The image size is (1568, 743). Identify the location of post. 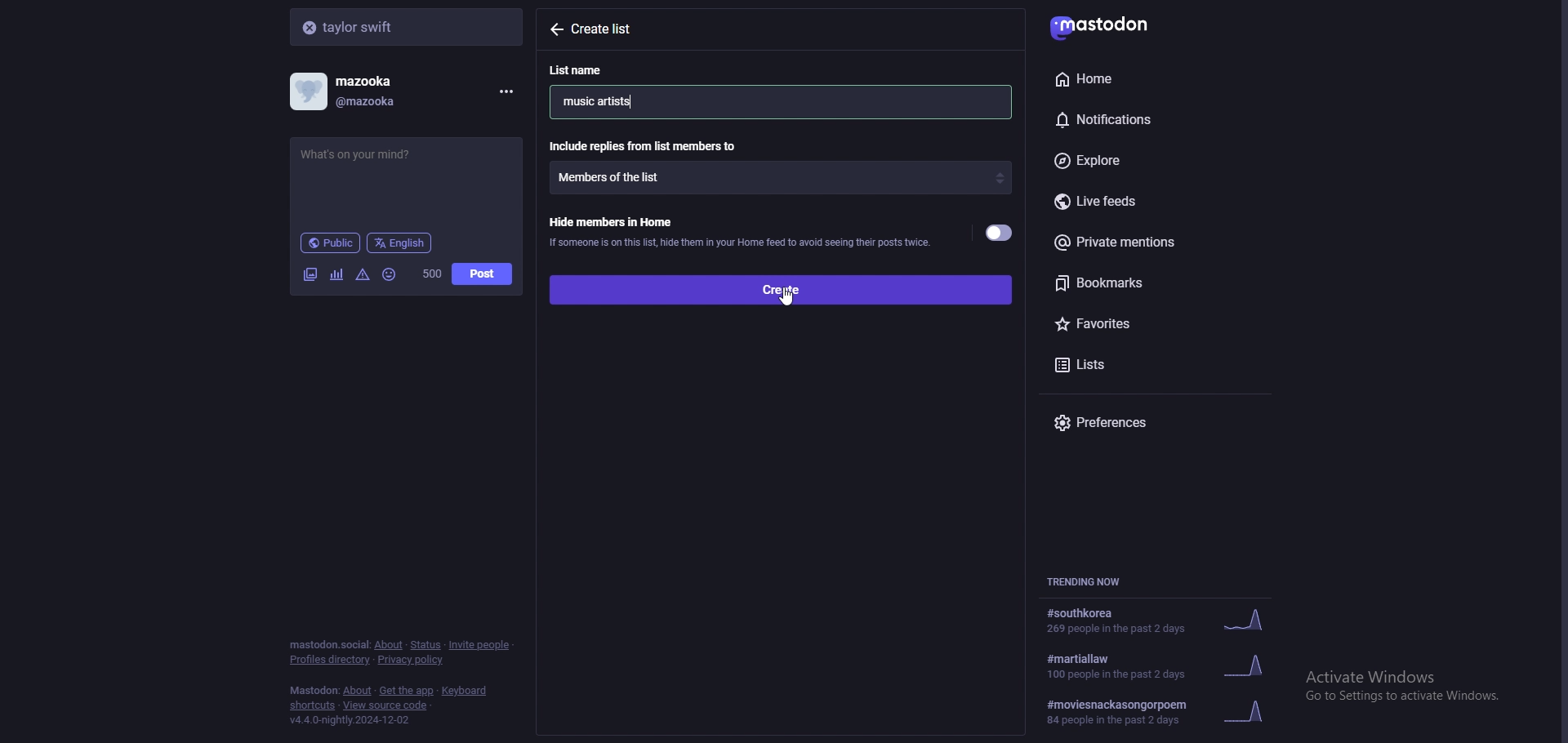
(482, 274).